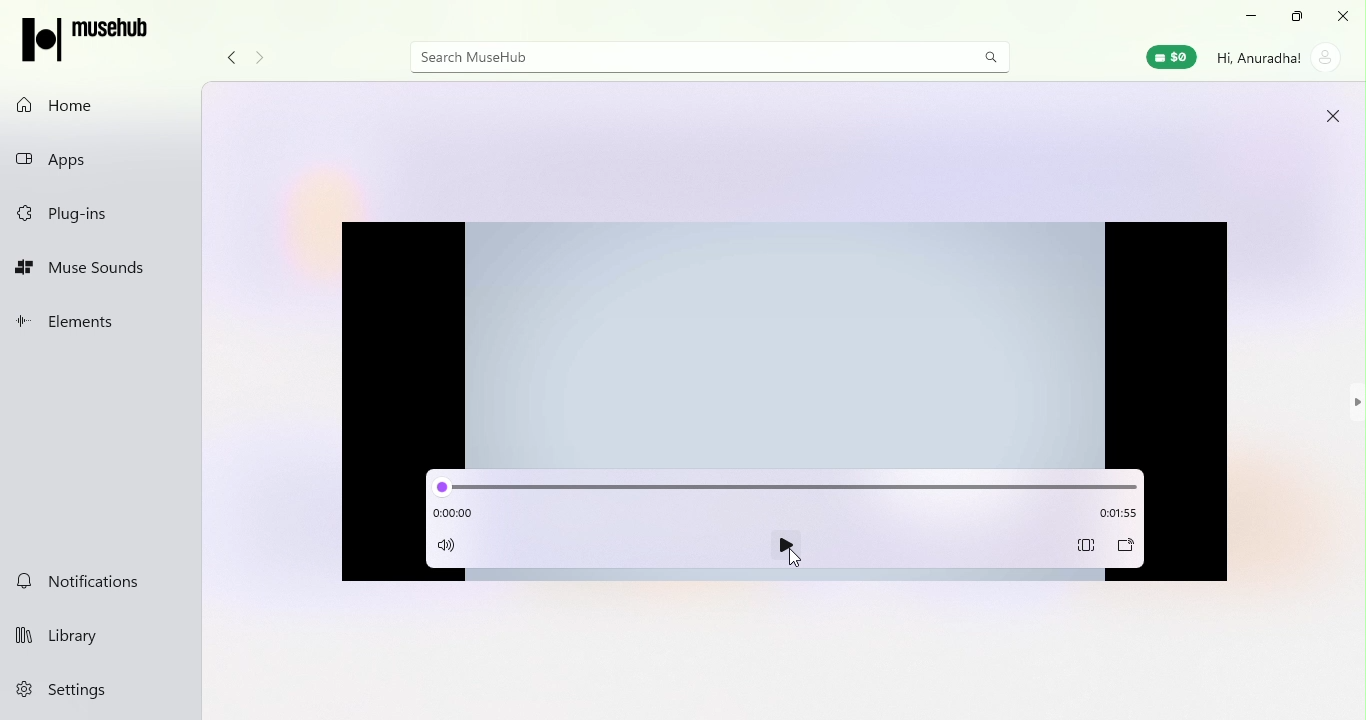  I want to click on Muse sounds, so click(106, 271).